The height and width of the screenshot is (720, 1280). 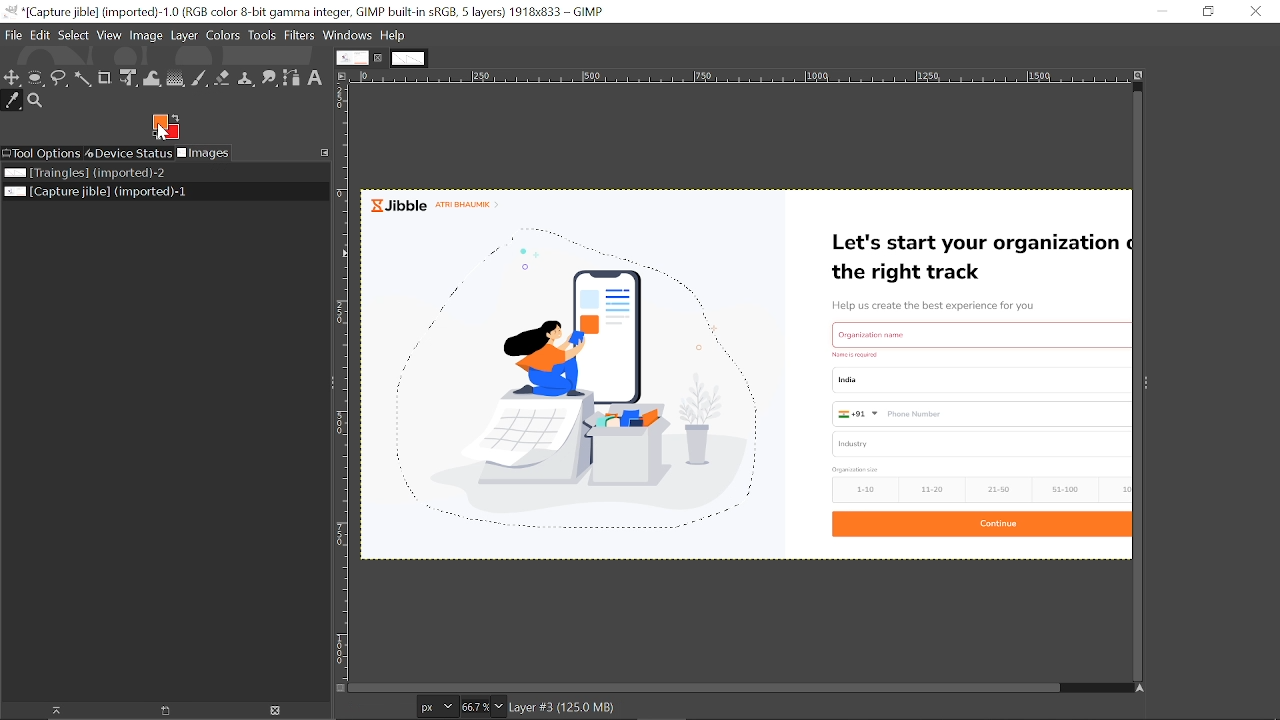 What do you see at coordinates (269, 79) in the screenshot?
I see `Smudge tool` at bounding box center [269, 79].